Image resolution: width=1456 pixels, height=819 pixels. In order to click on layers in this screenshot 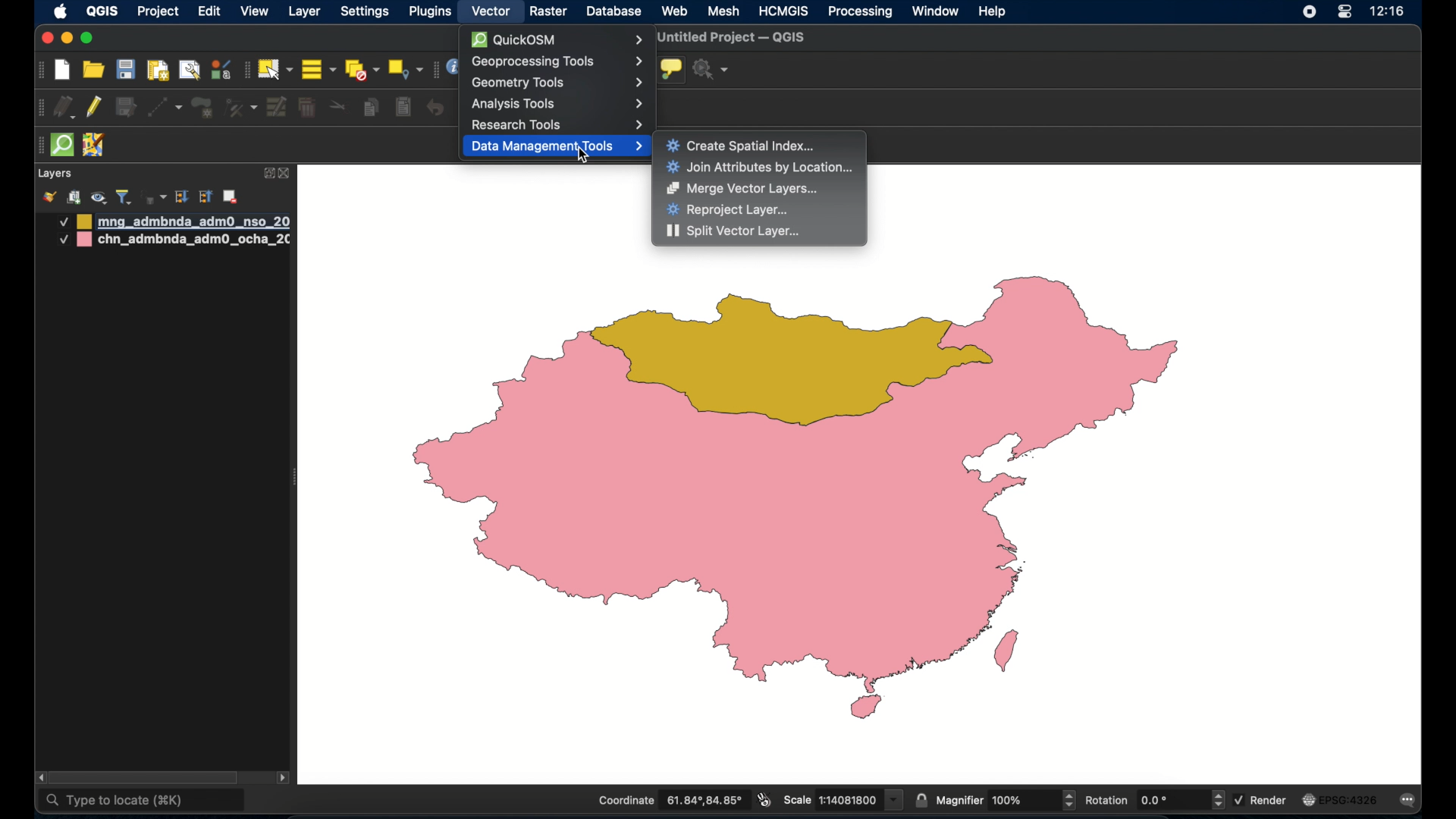, I will do `click(55, 174)`.